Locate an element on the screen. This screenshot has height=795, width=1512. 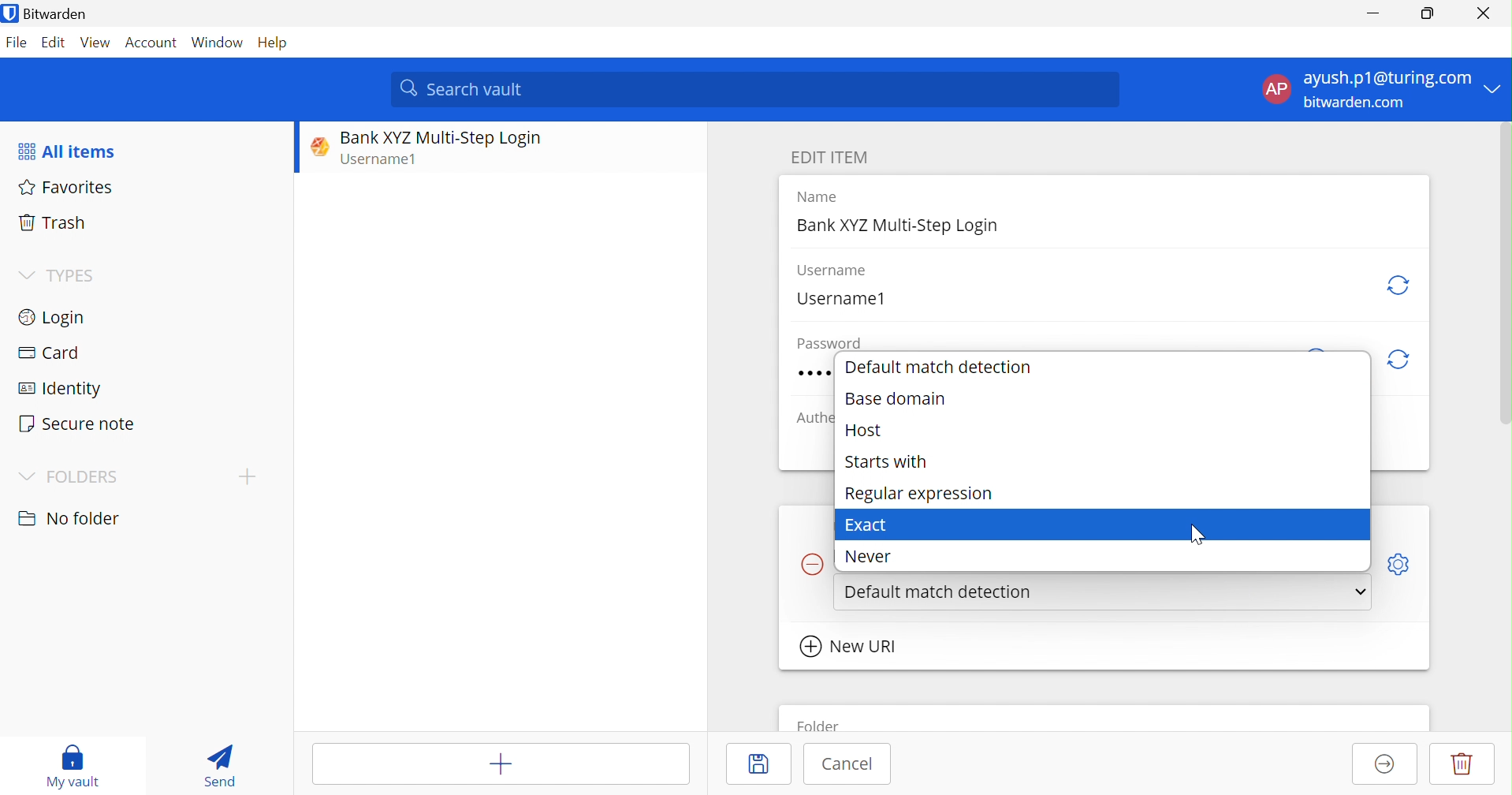
Regular expression is located at coordinates (920, 493).